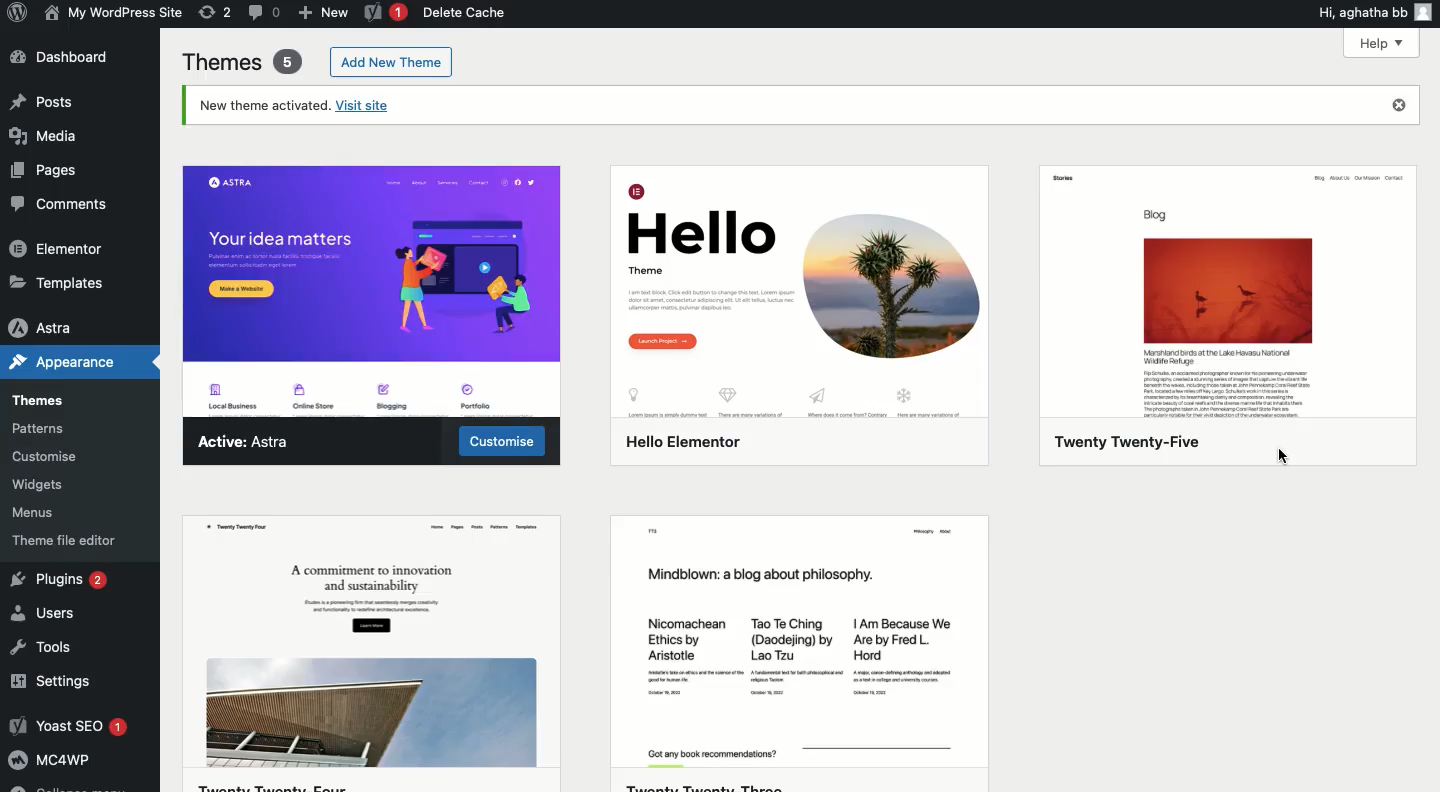  What do you see at coordinates (50, 483) in the screenshot?
I see `Widgets` at bounding box center [50, 483].